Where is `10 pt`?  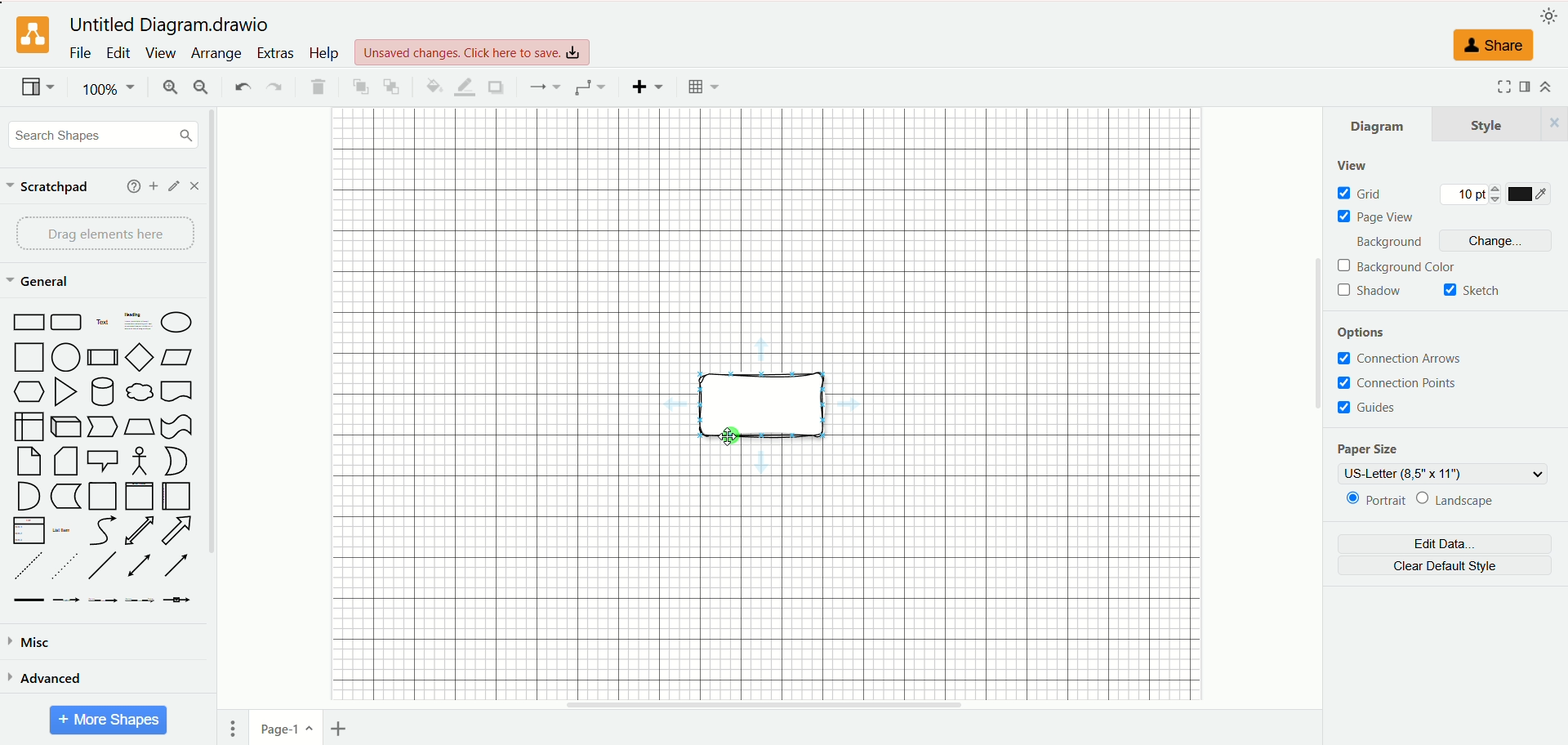 10 pt is located at coordinates (1469, 192).